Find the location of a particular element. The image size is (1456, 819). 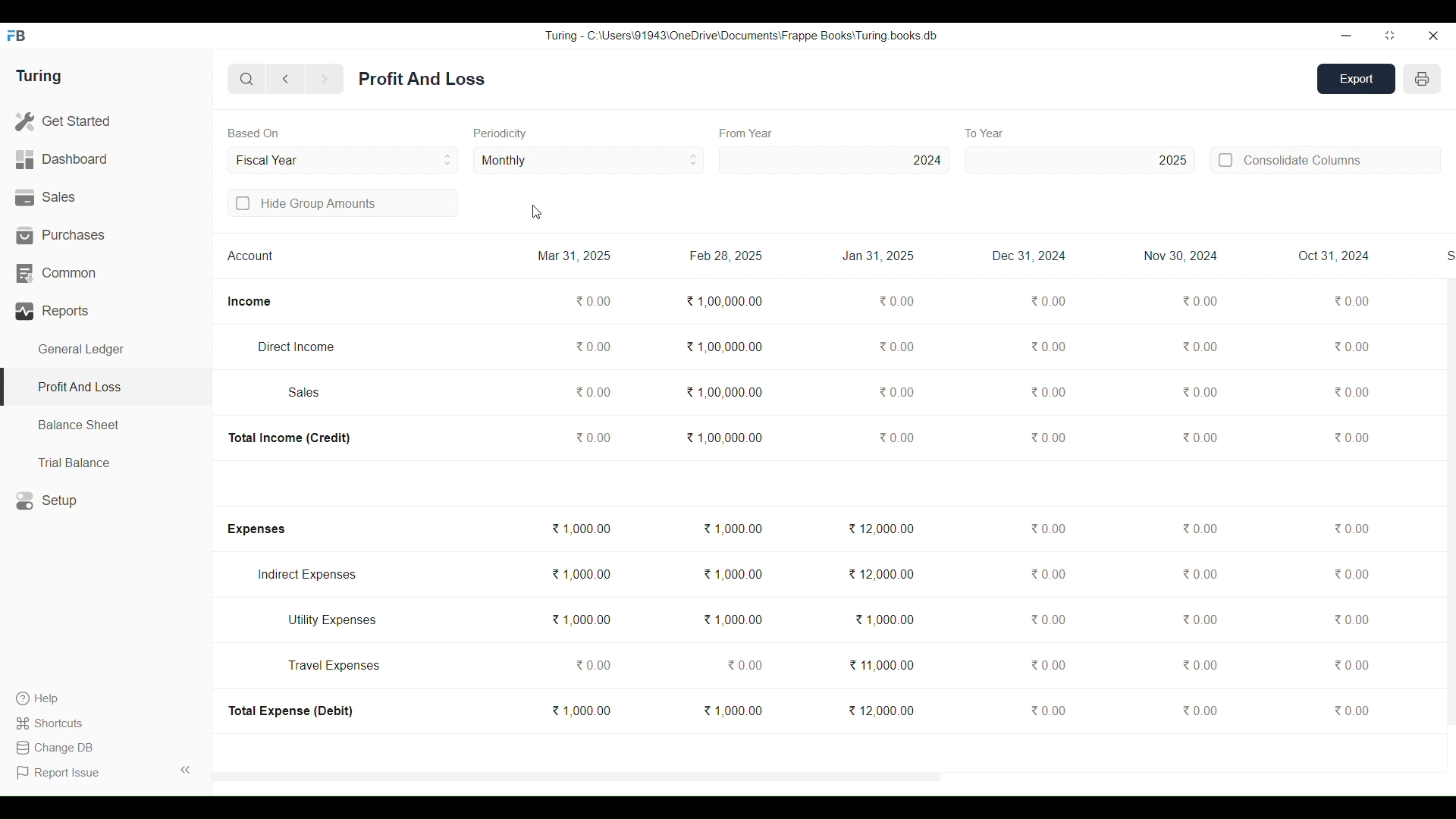

Frappe Books logo is located at coordinates (16, 36).